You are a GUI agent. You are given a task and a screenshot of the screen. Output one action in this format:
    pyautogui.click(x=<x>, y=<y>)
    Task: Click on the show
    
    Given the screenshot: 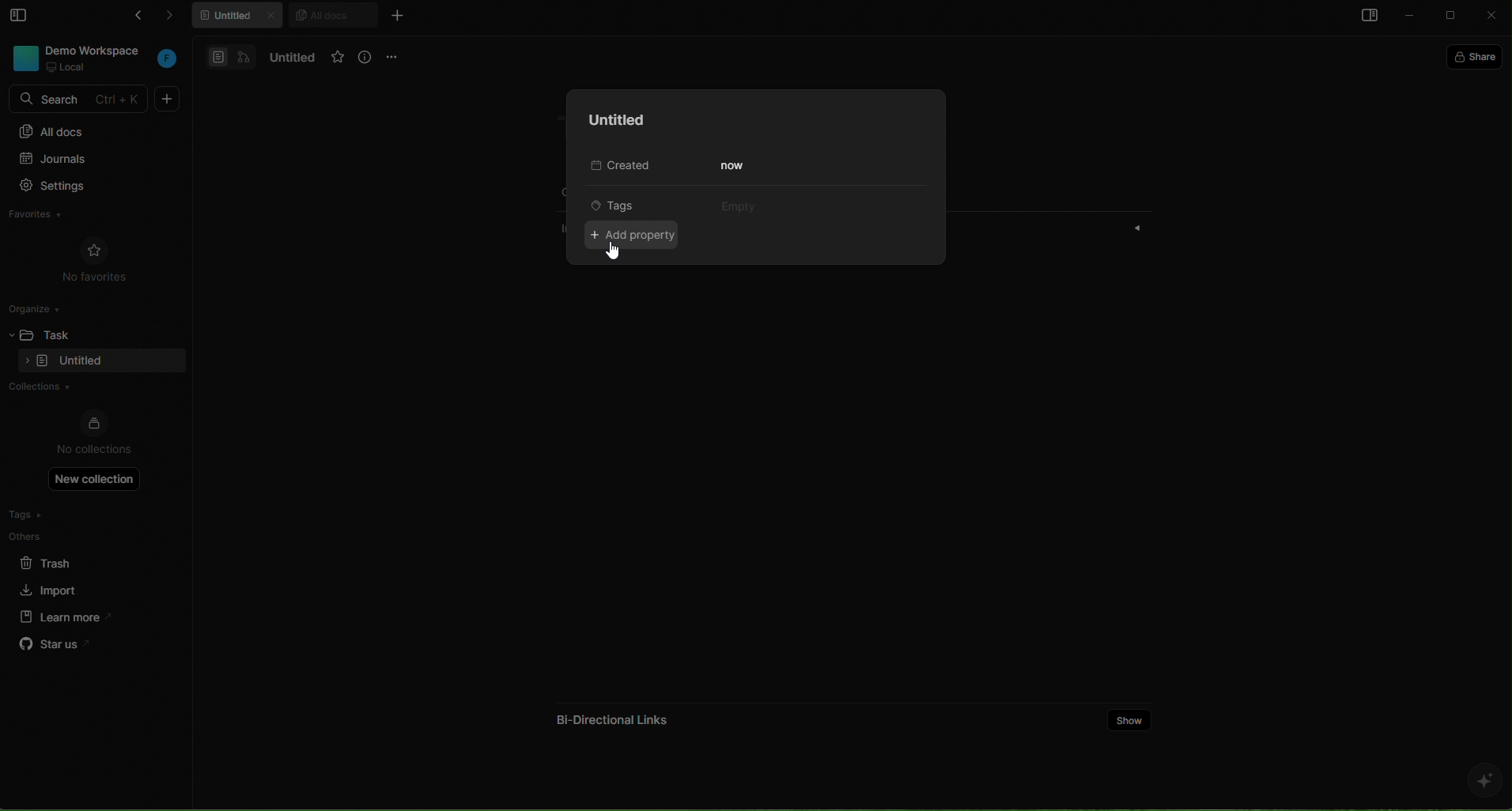 What is the action you would take?
    pyautogui.click(x=1130, y=719)
    